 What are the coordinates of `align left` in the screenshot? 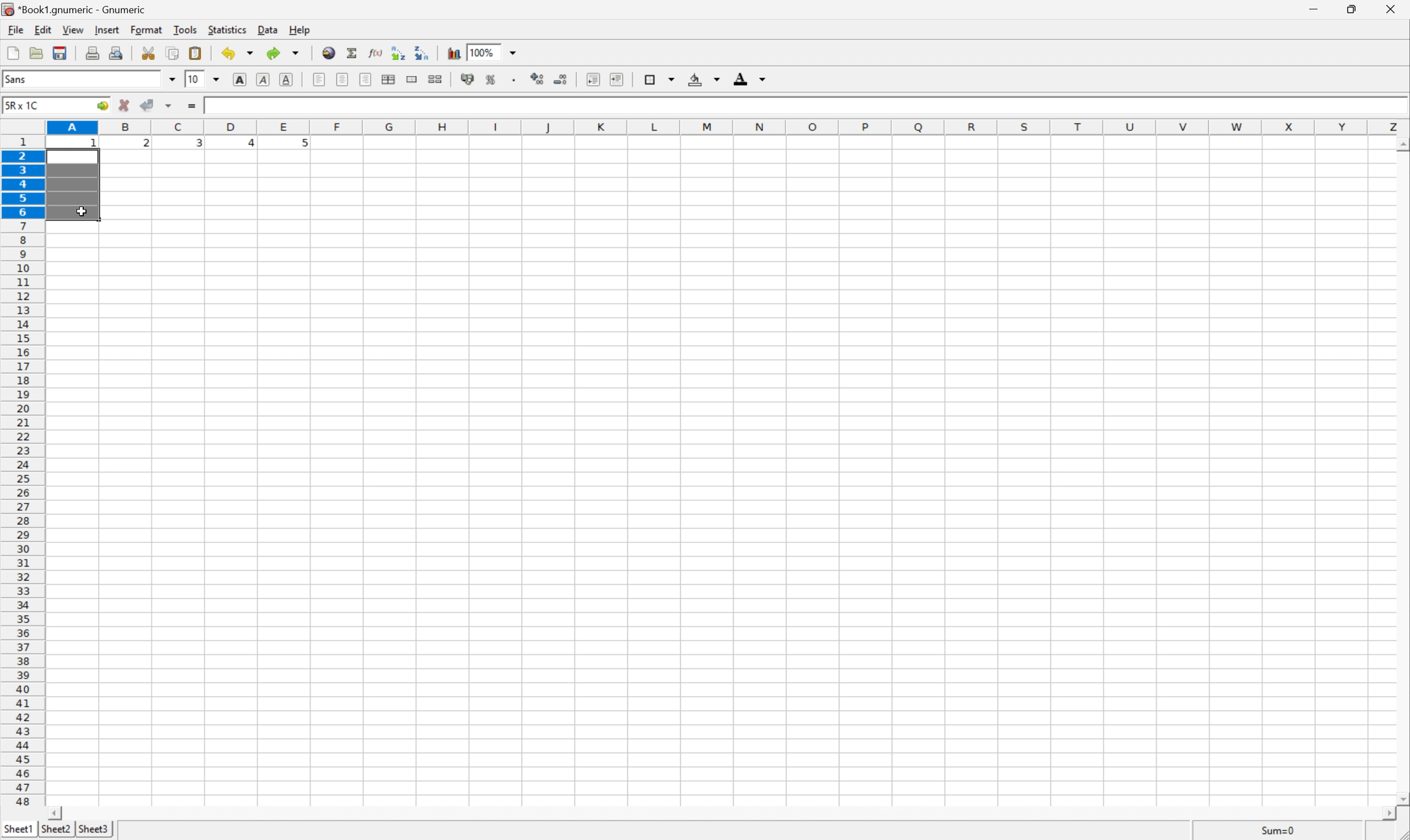 It's located at (320, 79).